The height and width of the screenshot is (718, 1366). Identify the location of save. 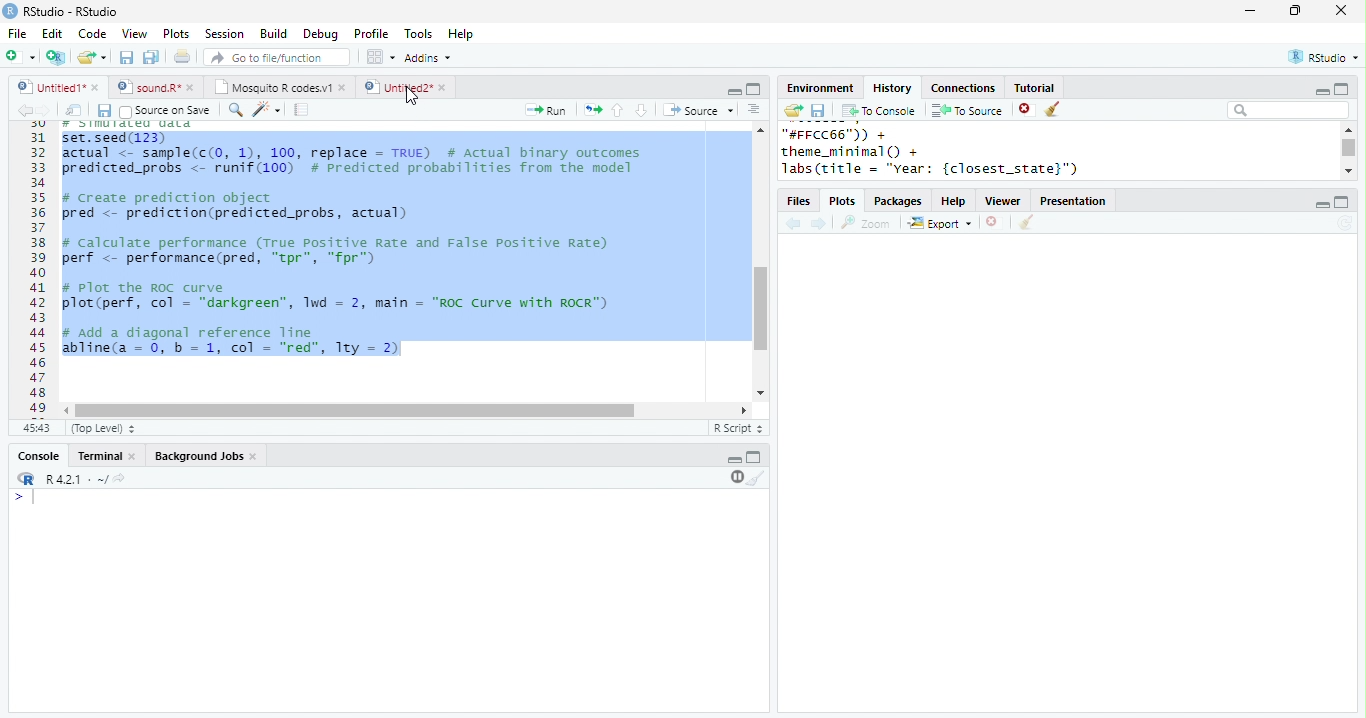
(126, 57).